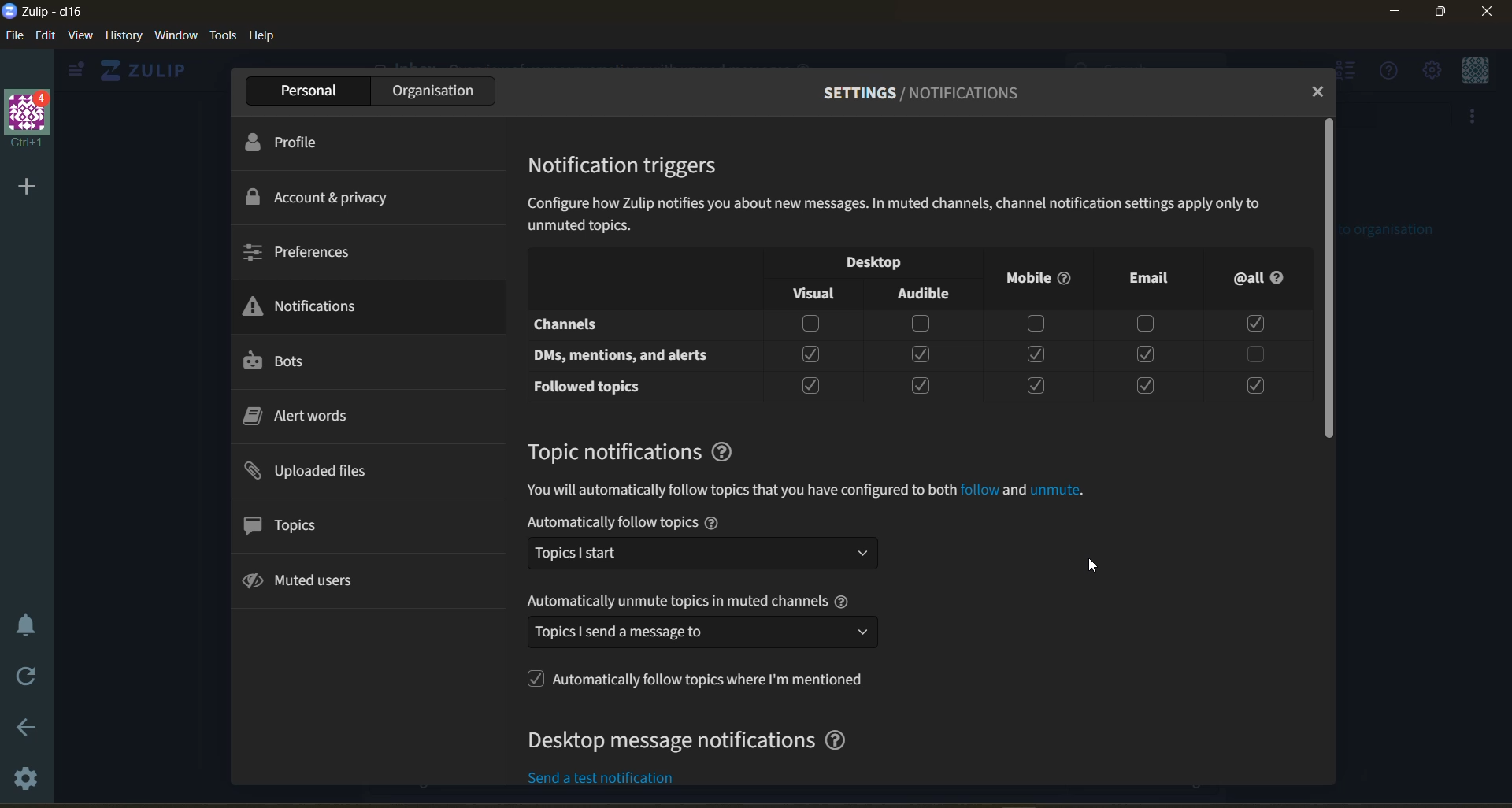  What do you see at coordinates (813, 356) in the screenshot?
I see `Checkbox` at bounding box center [813, 356].